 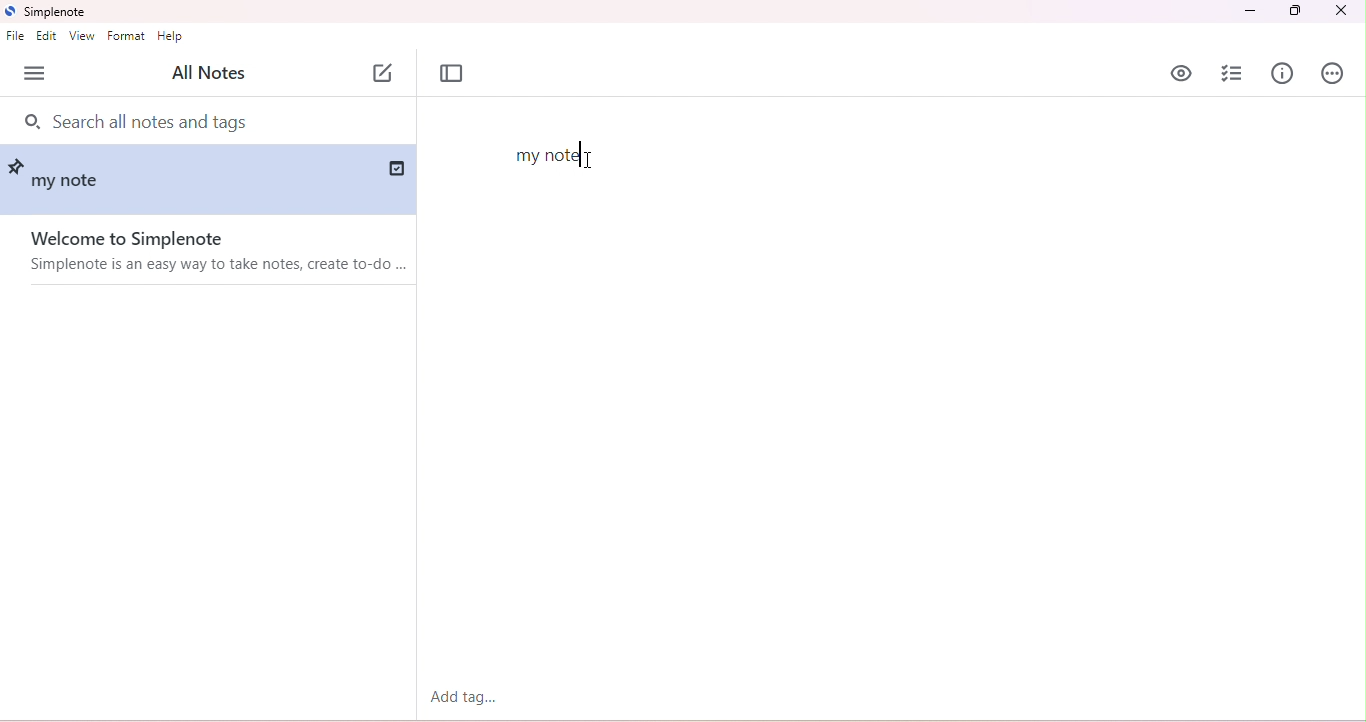 What do you see at coordinates (16, 37) in the screenshot?
I see `file` at bounding box center [16, 37].